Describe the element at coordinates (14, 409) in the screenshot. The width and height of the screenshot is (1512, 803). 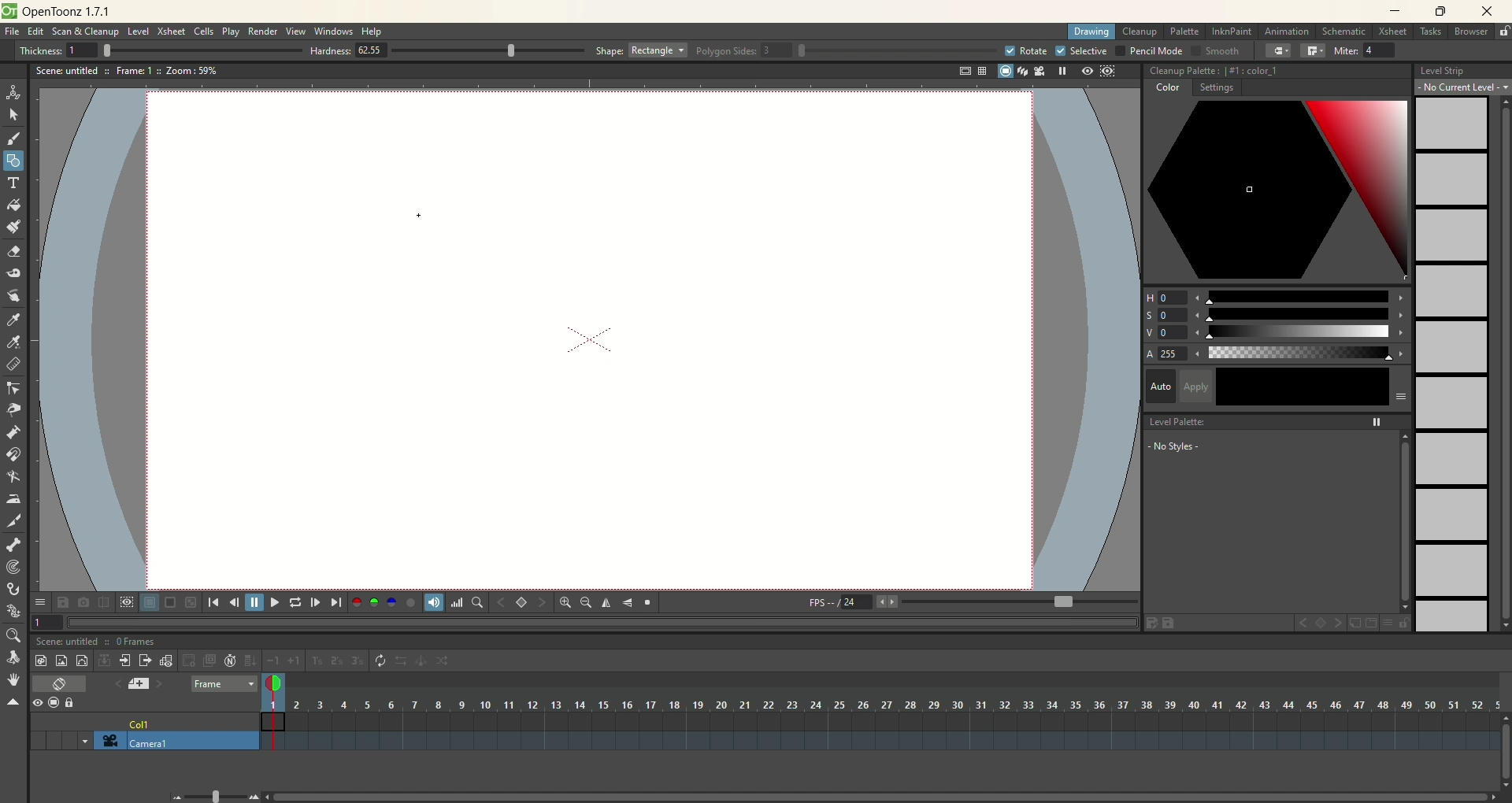
I see `pinch` at that location.